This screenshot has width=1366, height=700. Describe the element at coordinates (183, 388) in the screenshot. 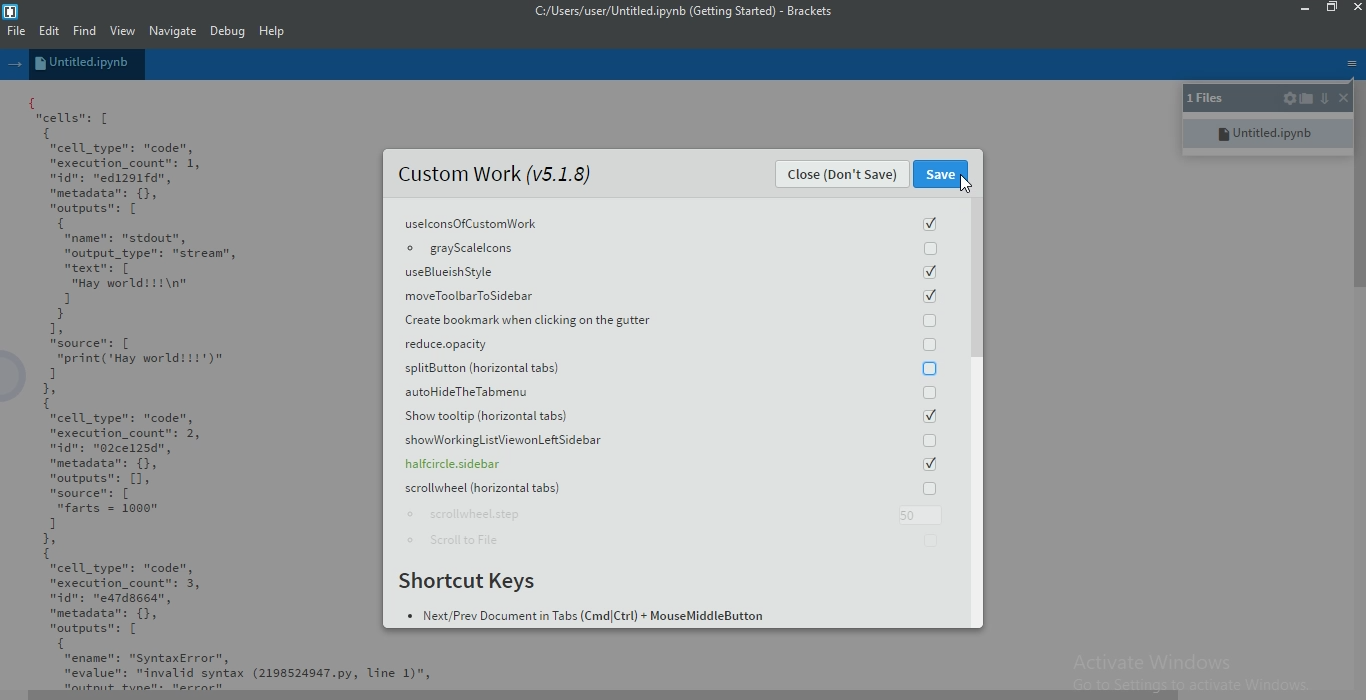

I see `{
cells: [
{
"cell _type": "code",
"execution_count": 1,
nidn: "ed1291fd",
"metadata": {},
"outputs": [
{
"name": "stdout",
"output_type": "strean",
mtextn: [
“Hay world!!!\n"
1
}
1,
source: [
"print('Hay worlditt')"
1
1,
1
"cell _type": "code",
"execution_count": 2,
dn: "02ce125d",
"metadata": {},
"outputs": [1,
"source": [
"farts = 1000"
1
1,
1
"cell _type": "code",
"execution_count": 3,
nidn: "ea7dssed”,
"metadata": {},
"outputs": [
{
“ename": "SyntaxError",
"evalue": "invalid syntax (2198524947.py, Line 1)",` at that location.